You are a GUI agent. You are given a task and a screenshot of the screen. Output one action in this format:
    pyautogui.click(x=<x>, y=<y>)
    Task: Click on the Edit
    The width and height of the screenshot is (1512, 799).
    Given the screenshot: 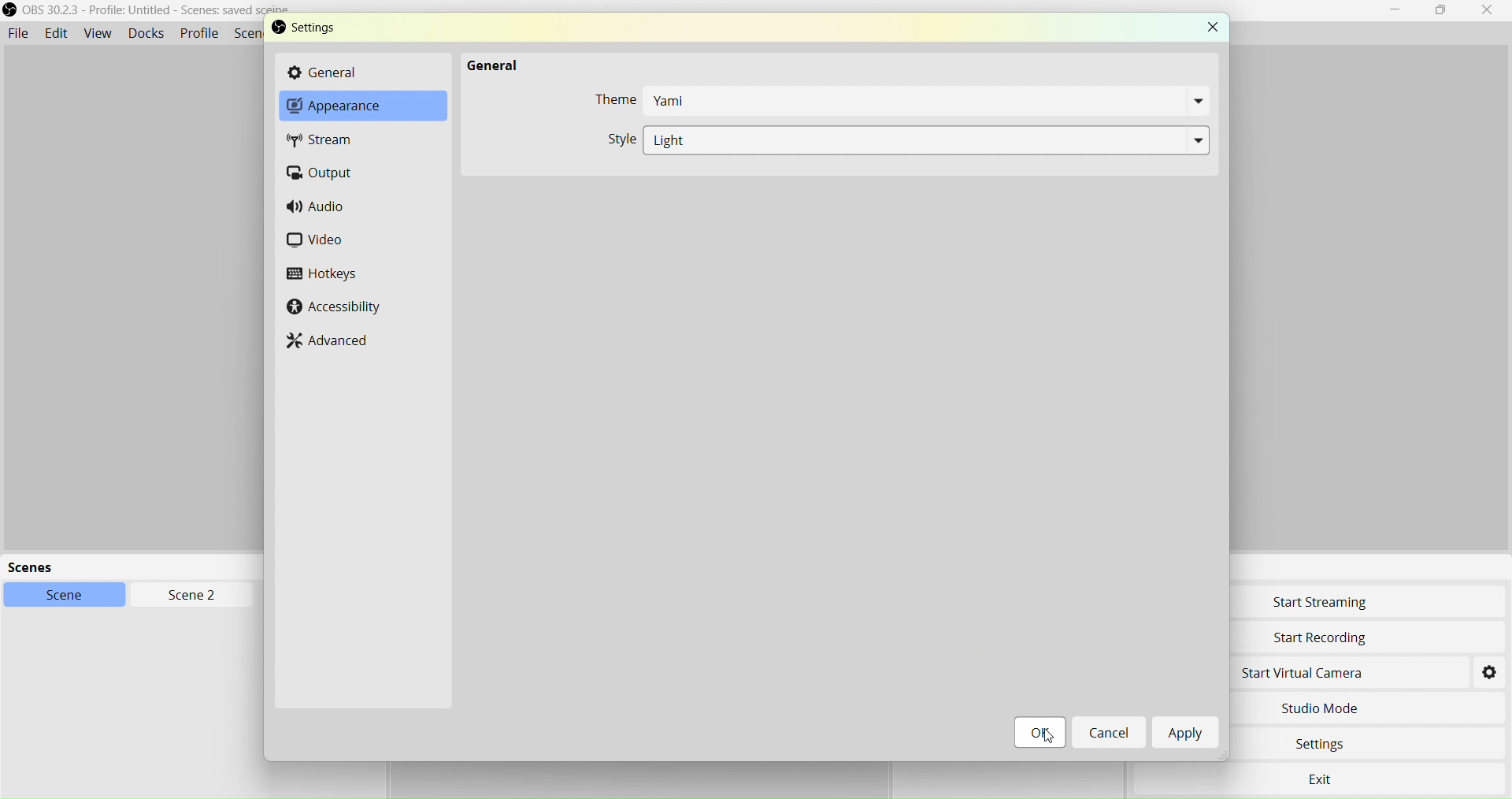 What is the action you would take?
    pyautogui.click(x=57, y=33)
    